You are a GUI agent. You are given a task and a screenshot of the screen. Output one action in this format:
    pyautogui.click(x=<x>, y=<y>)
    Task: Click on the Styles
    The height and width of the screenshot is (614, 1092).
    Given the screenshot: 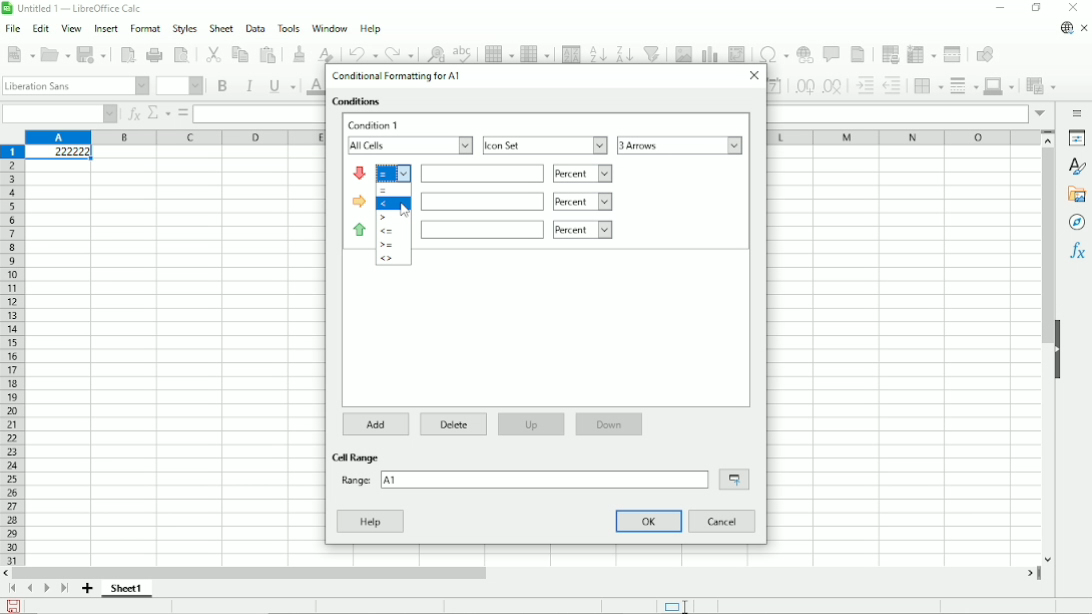 What is the action you would take?
    pyautogui.click(x=1079, y=167)
    